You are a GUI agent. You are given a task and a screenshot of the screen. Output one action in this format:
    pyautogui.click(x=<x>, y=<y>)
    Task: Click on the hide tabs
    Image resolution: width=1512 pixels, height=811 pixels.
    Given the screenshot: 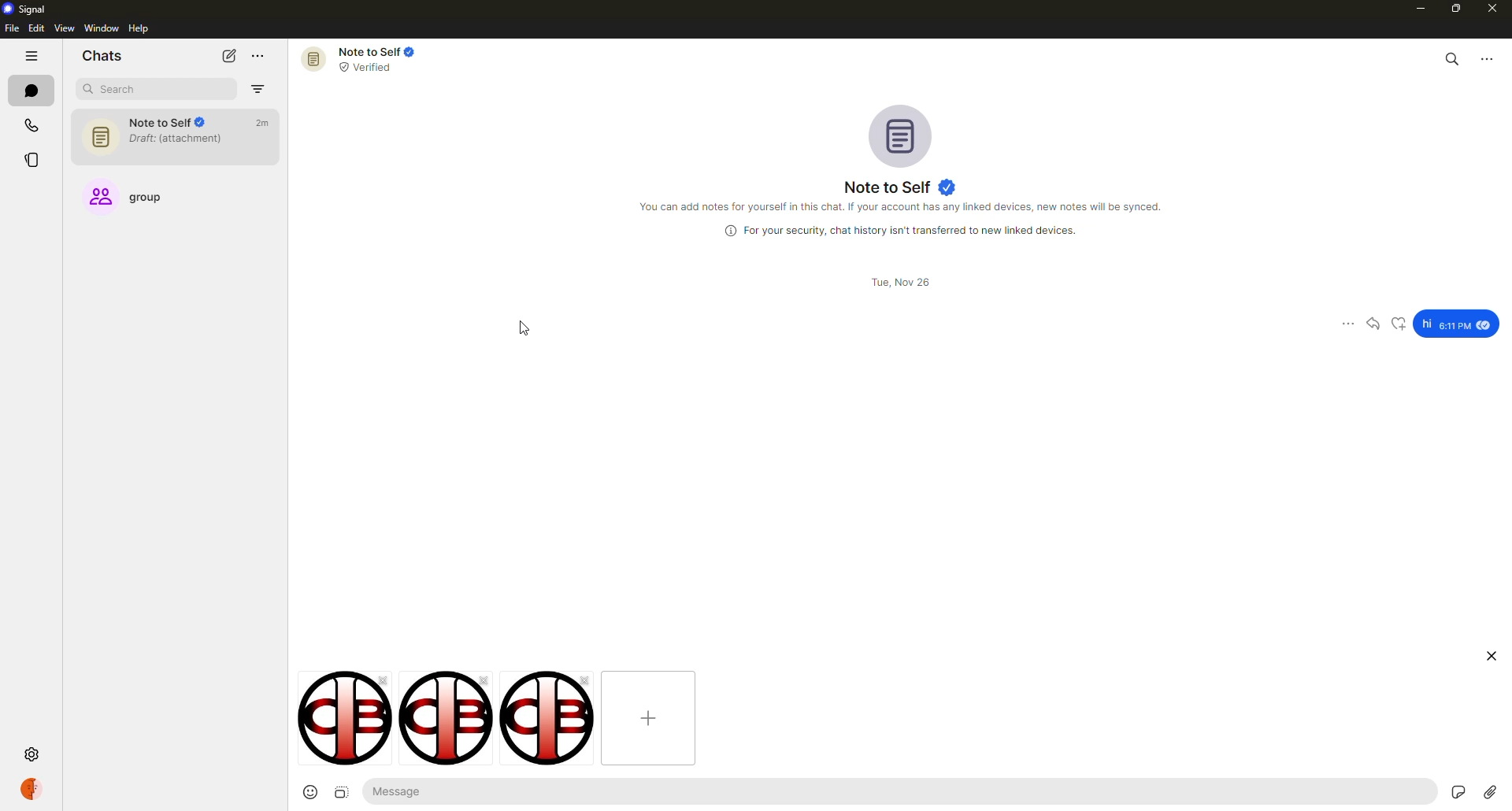 What is the action you would take?
    pyautogui.click(x=32, y=57)
    